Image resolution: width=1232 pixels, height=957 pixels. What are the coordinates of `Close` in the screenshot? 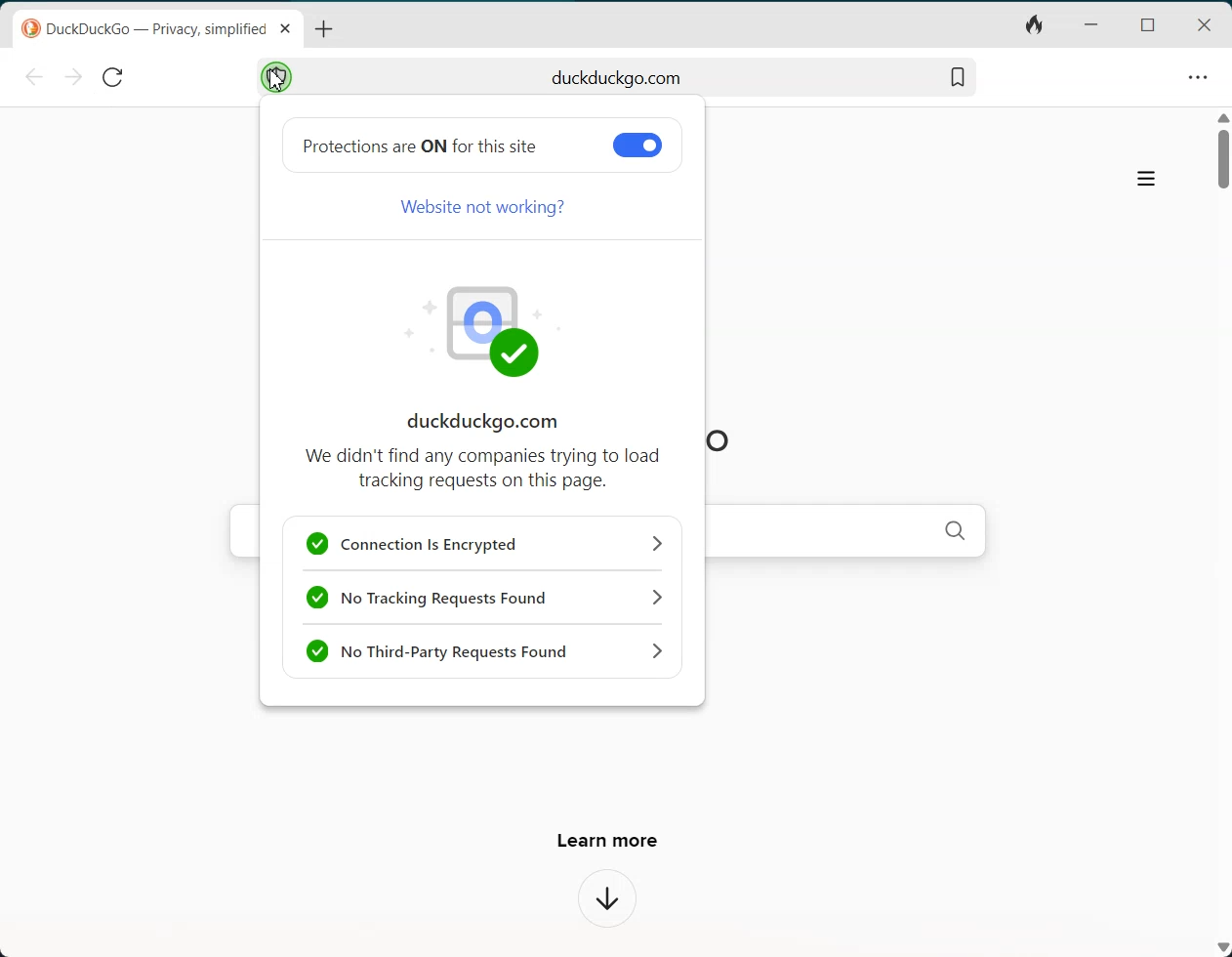 It's located at (1205, 24).